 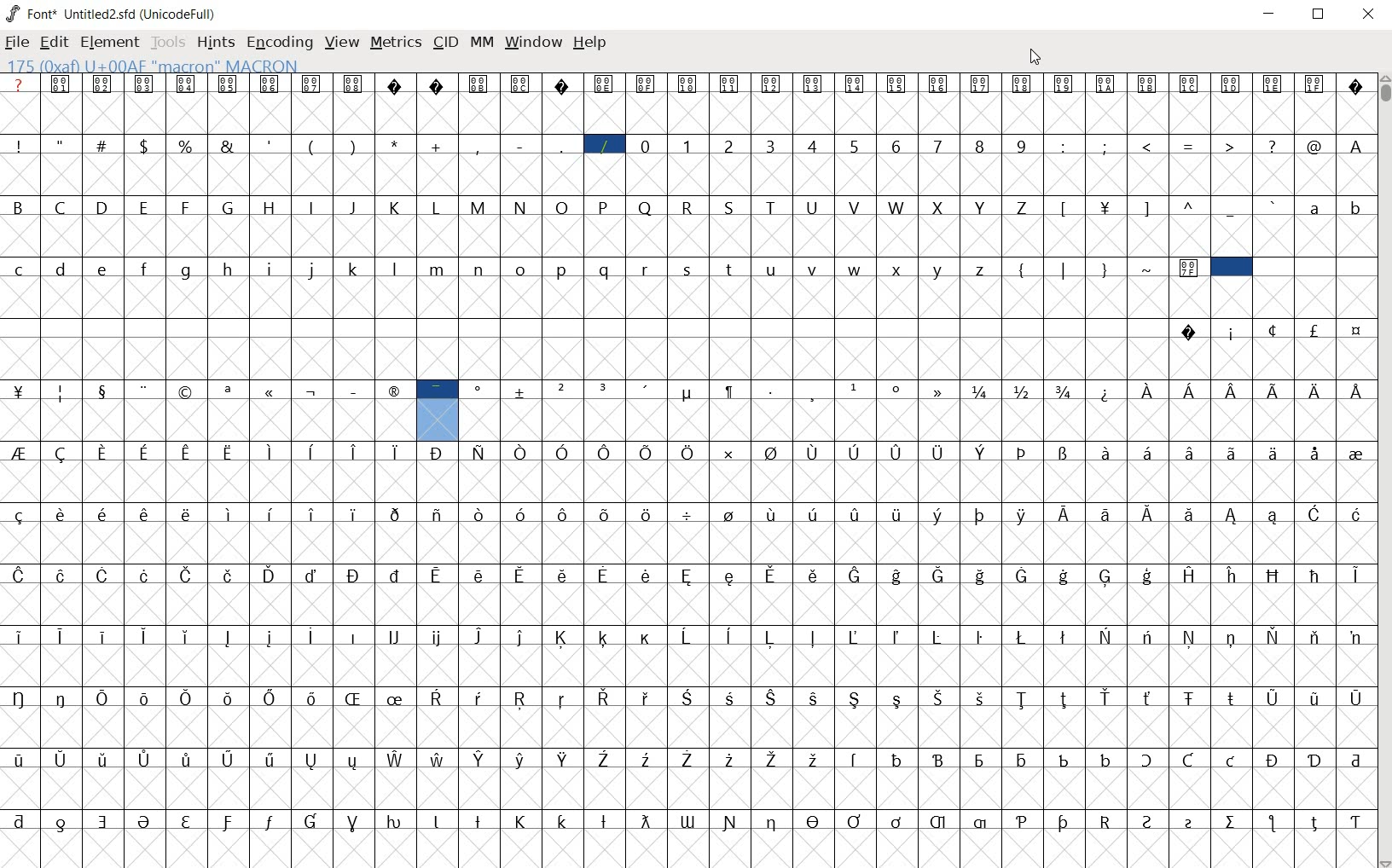 What do you see at coordinates (728, 472) in the screenshot?
I see `Latin extended characters` at bounding box center [728, 472].